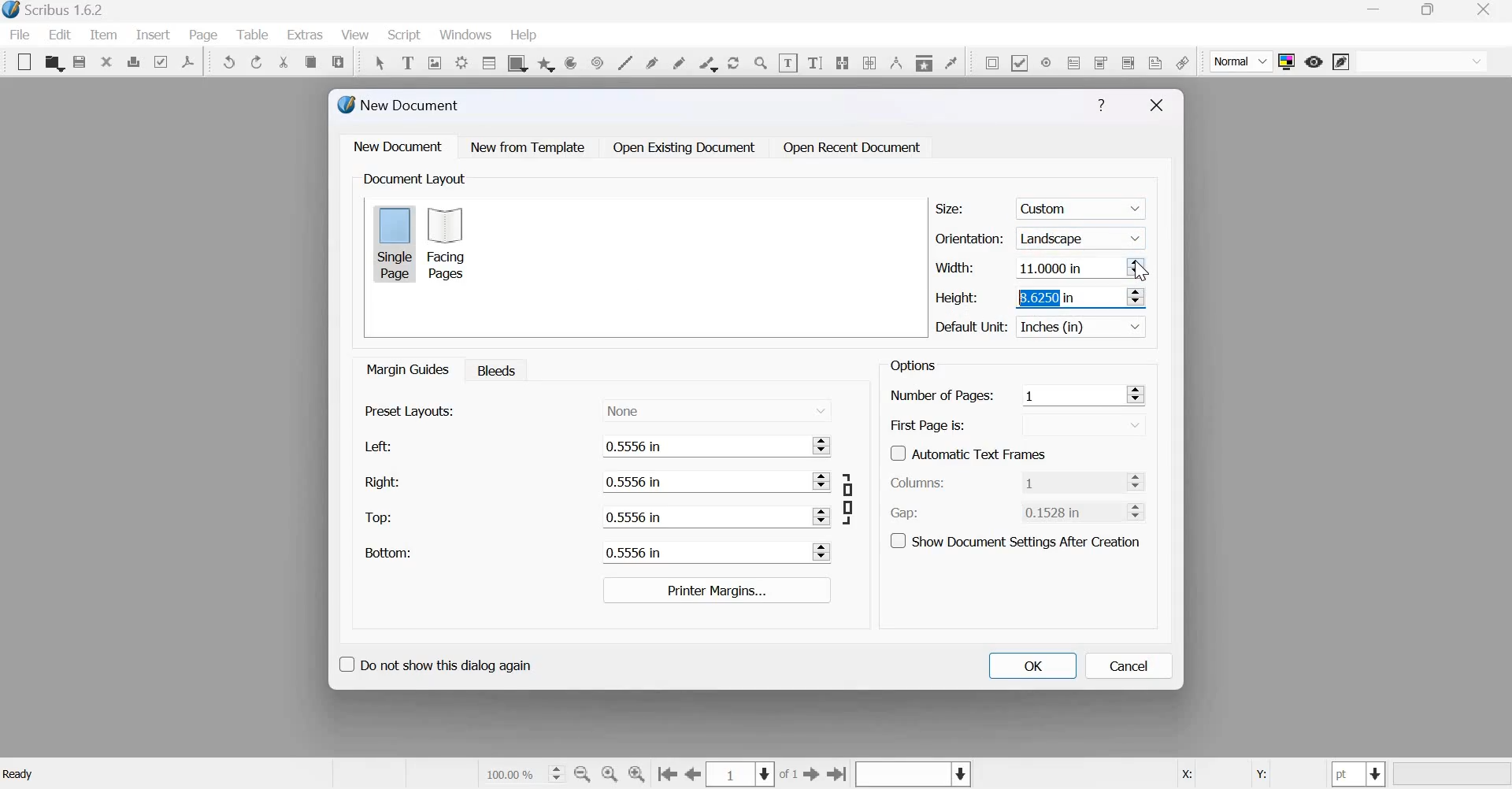 This screenshot has width=1512, height=789. Describe the element at coordinates (20, 774) in the screenshot. I see `Ready` at that location.